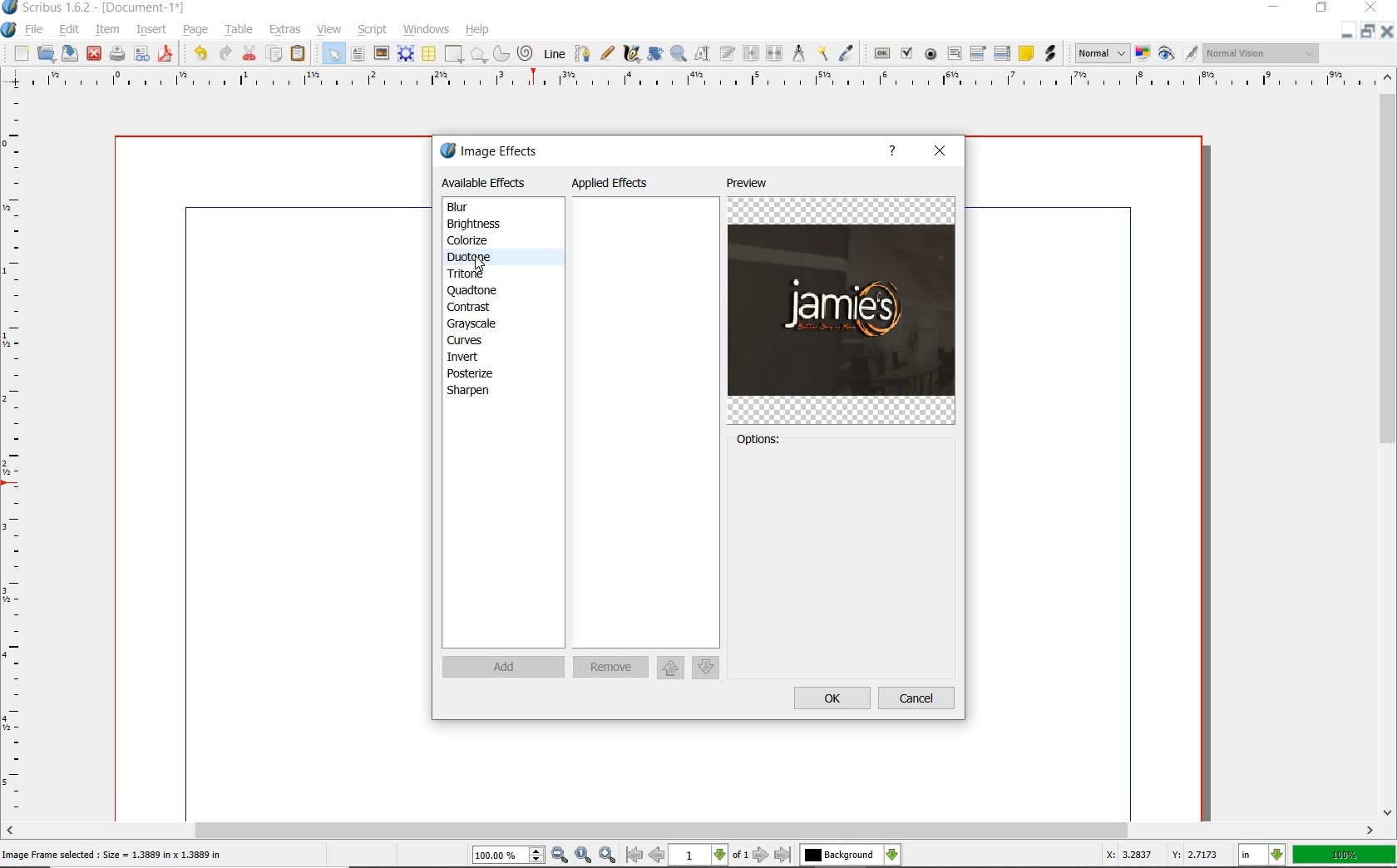  Describe the element at coordinates (249, 54) in the screenshot. I see `CUT` at that location.